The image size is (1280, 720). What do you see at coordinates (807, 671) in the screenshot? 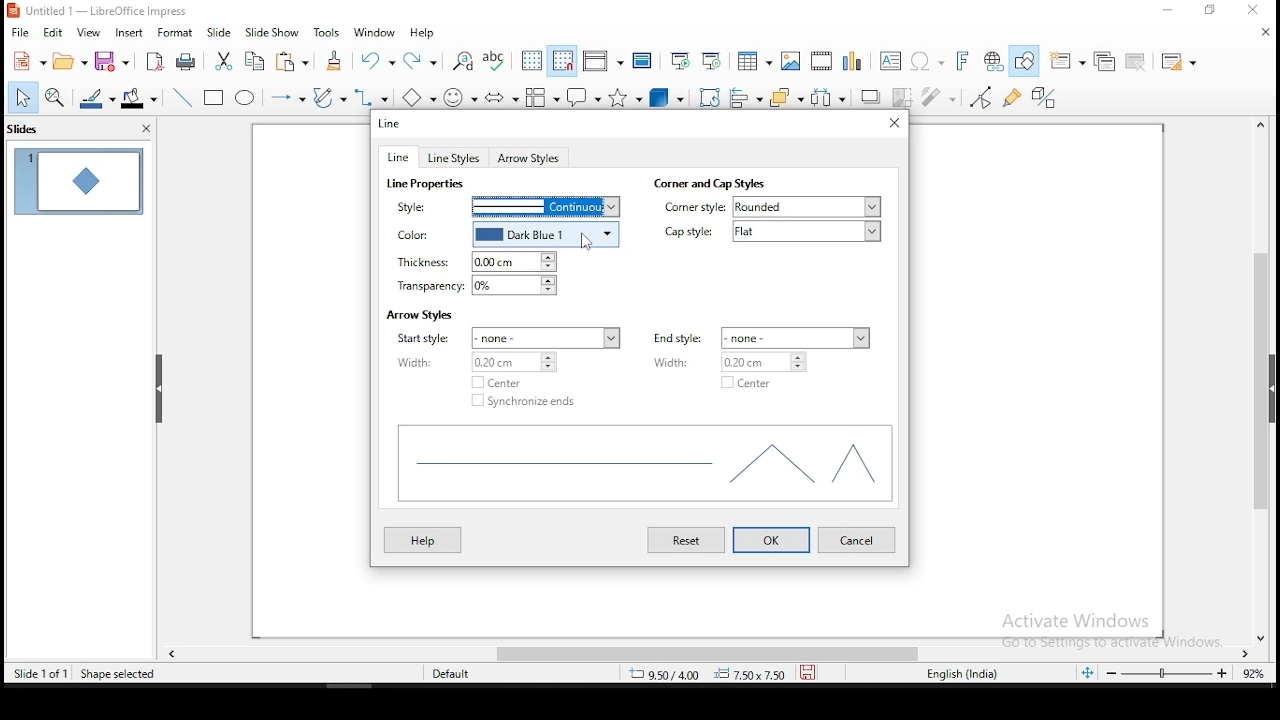
I see `save` at bounding box center [807, 671].